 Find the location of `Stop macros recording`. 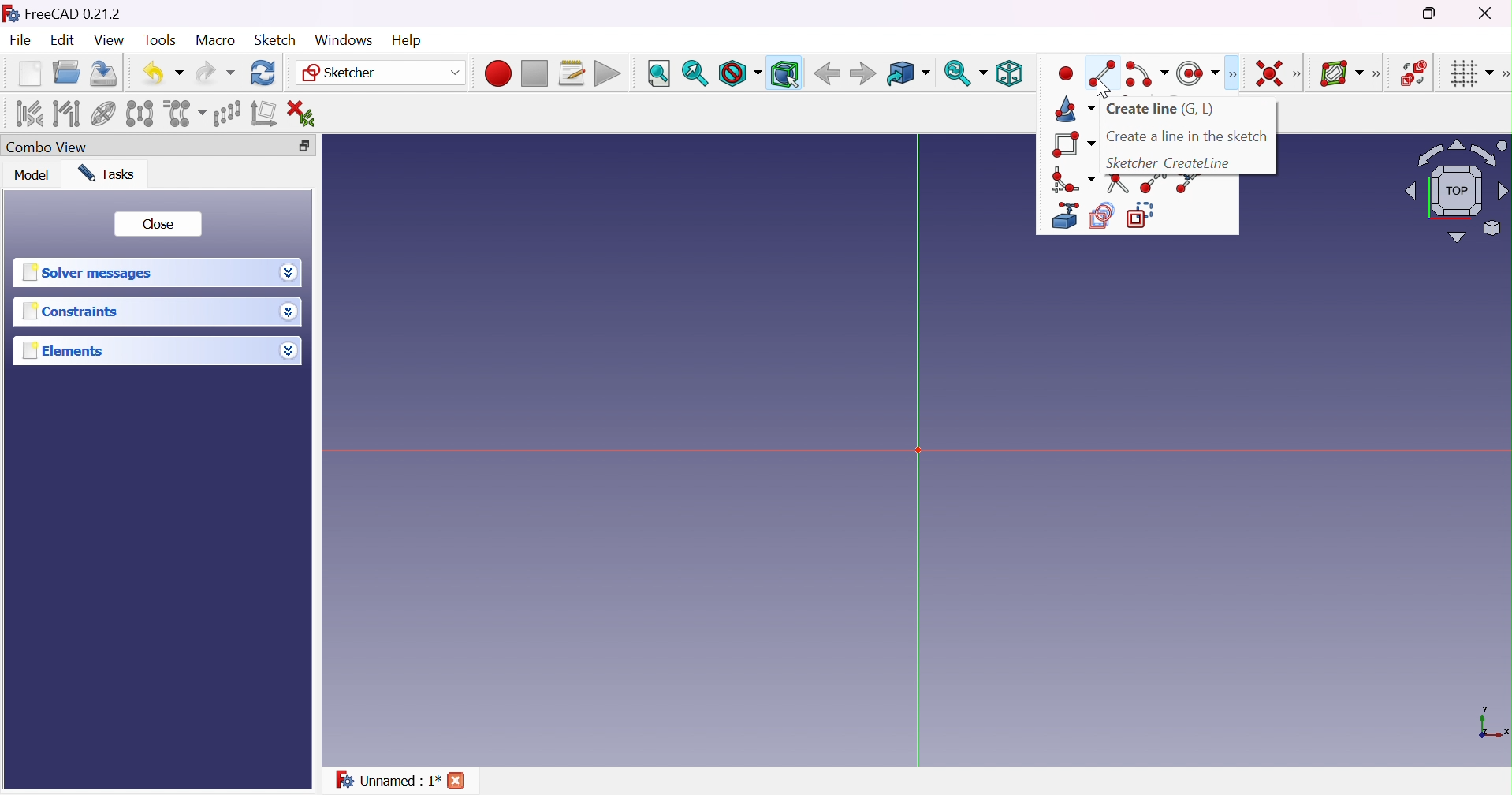

Stop macros recording is located at coordinates (534, 74).